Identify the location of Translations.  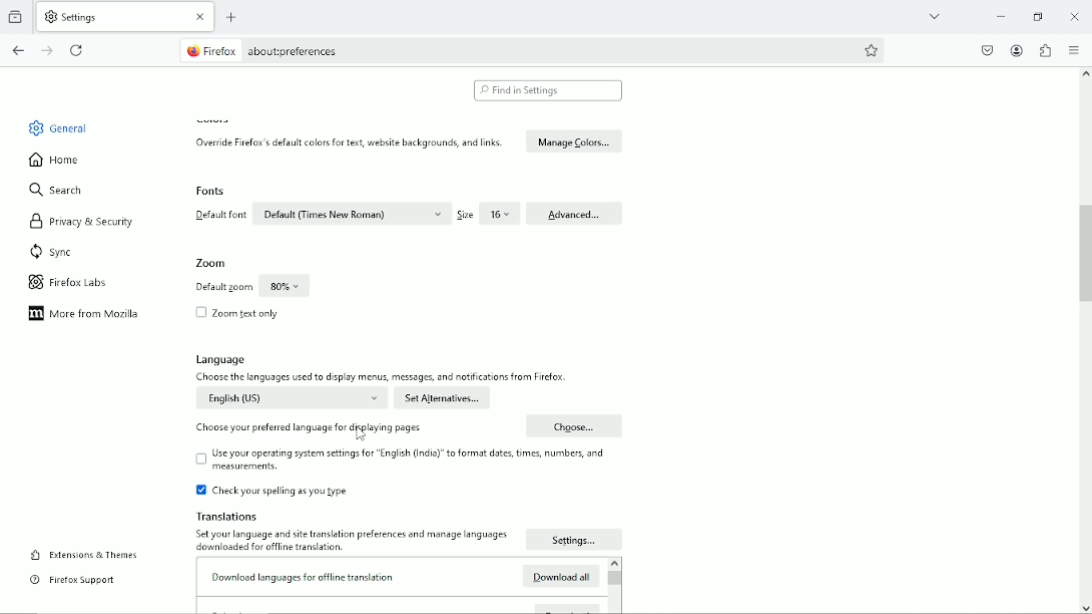
(230, 516).